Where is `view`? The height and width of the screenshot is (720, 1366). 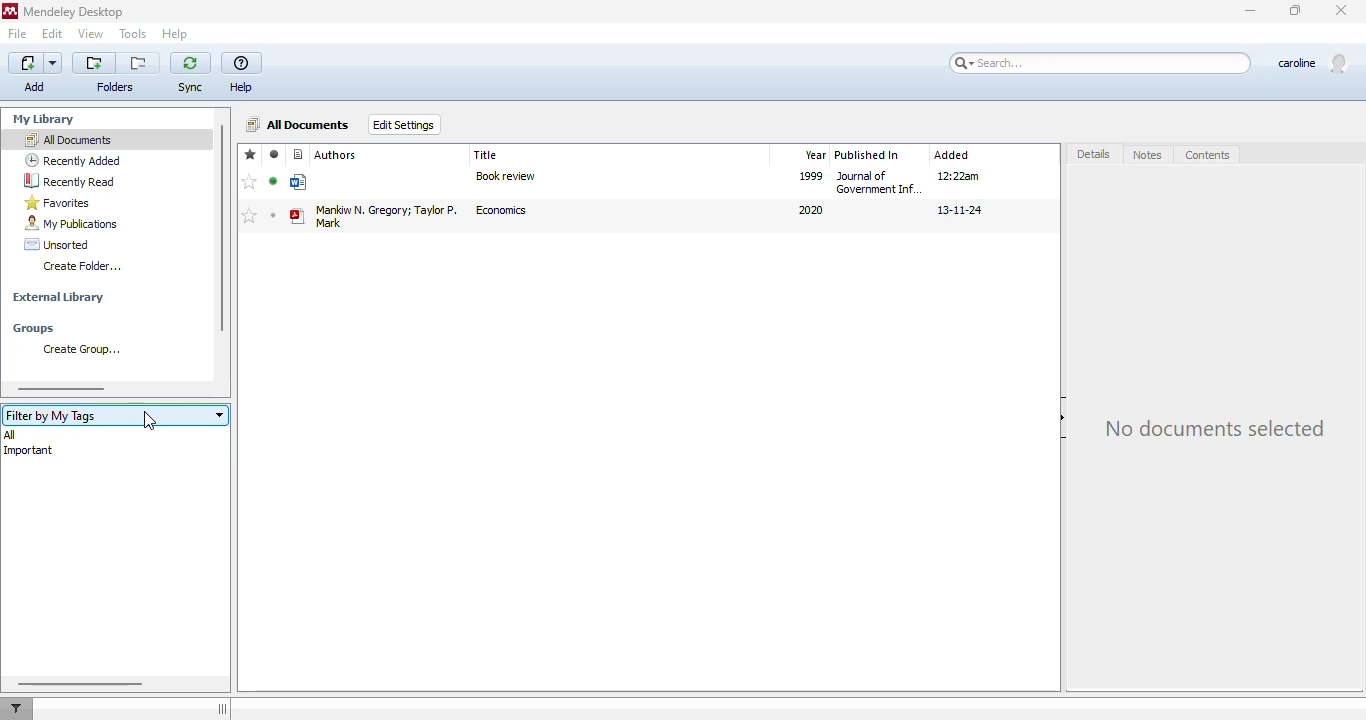 view is located at coordinates (92, 34).